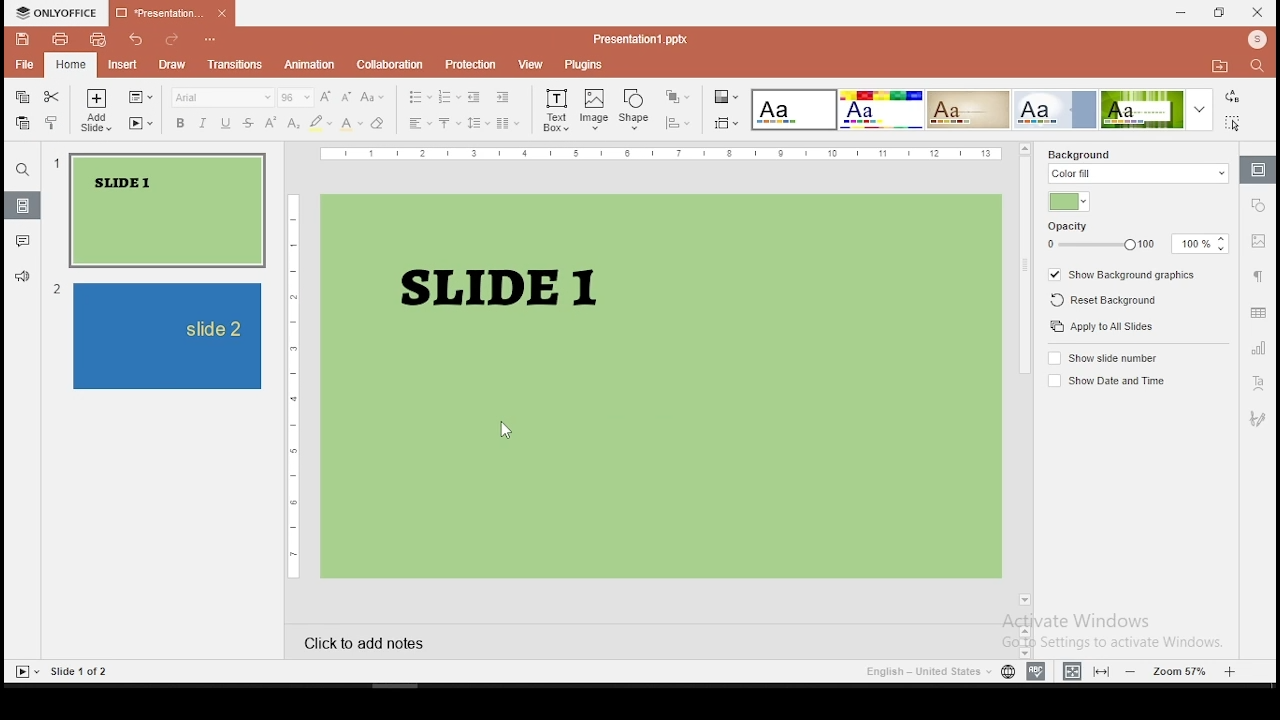  I want to click on slides, so click(22, 206).